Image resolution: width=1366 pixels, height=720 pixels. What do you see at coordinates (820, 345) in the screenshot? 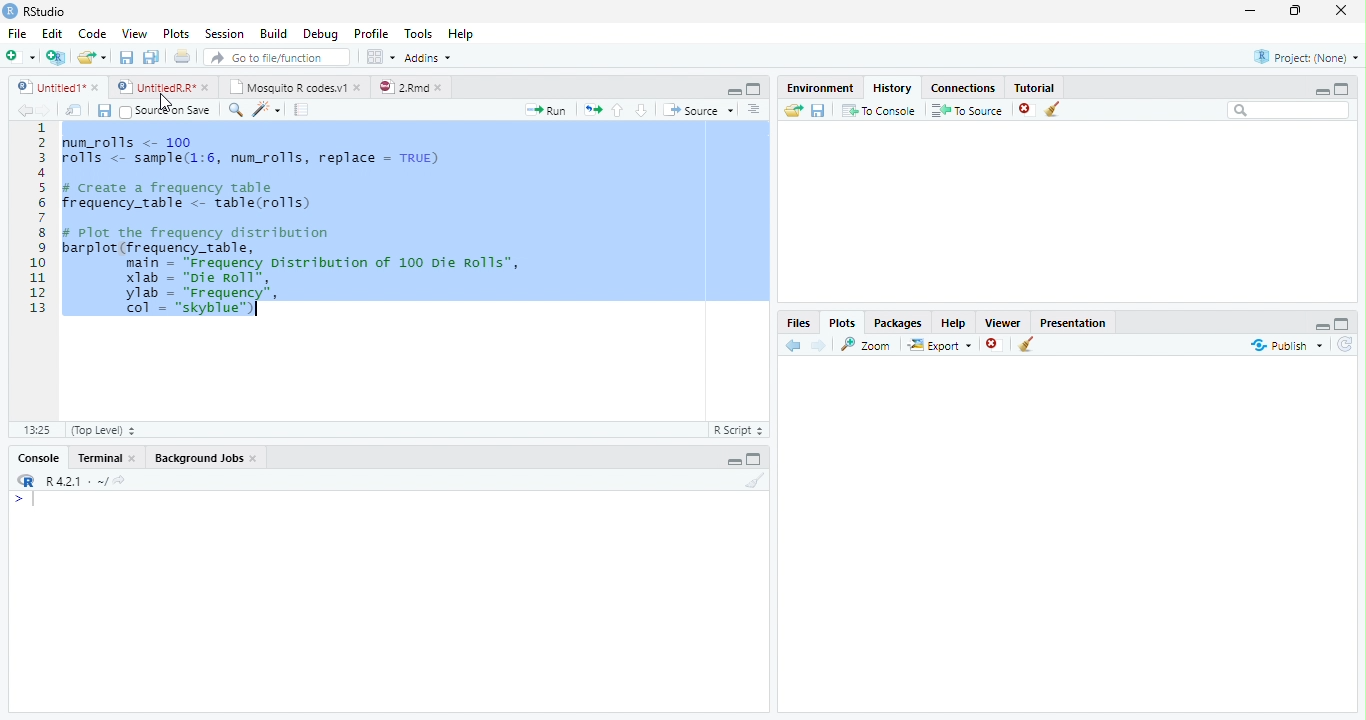
I see `Next Plot` at bounding box center [820, 345].